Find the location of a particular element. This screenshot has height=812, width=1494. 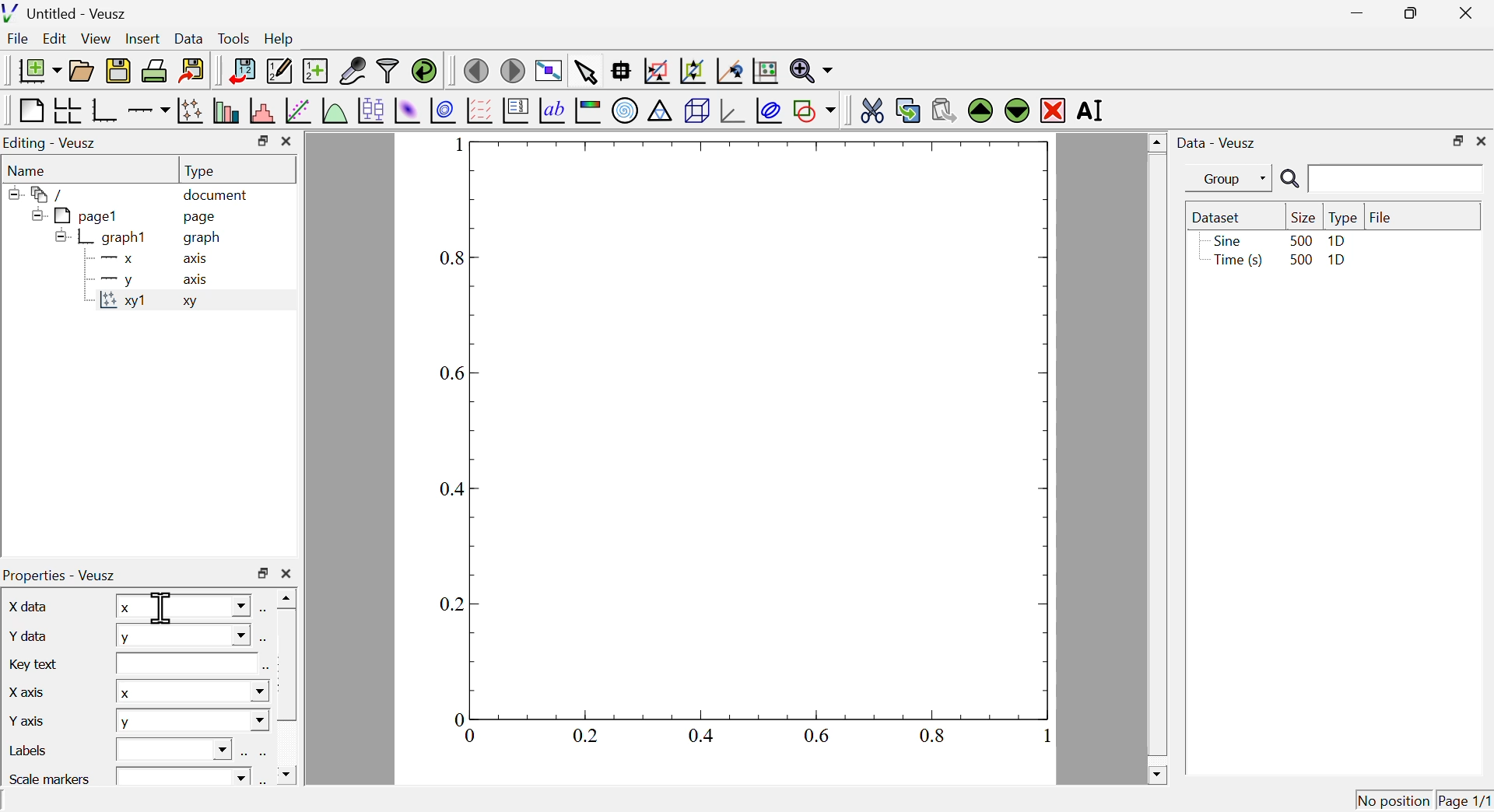

no position is located at coordinates (1394, 799).